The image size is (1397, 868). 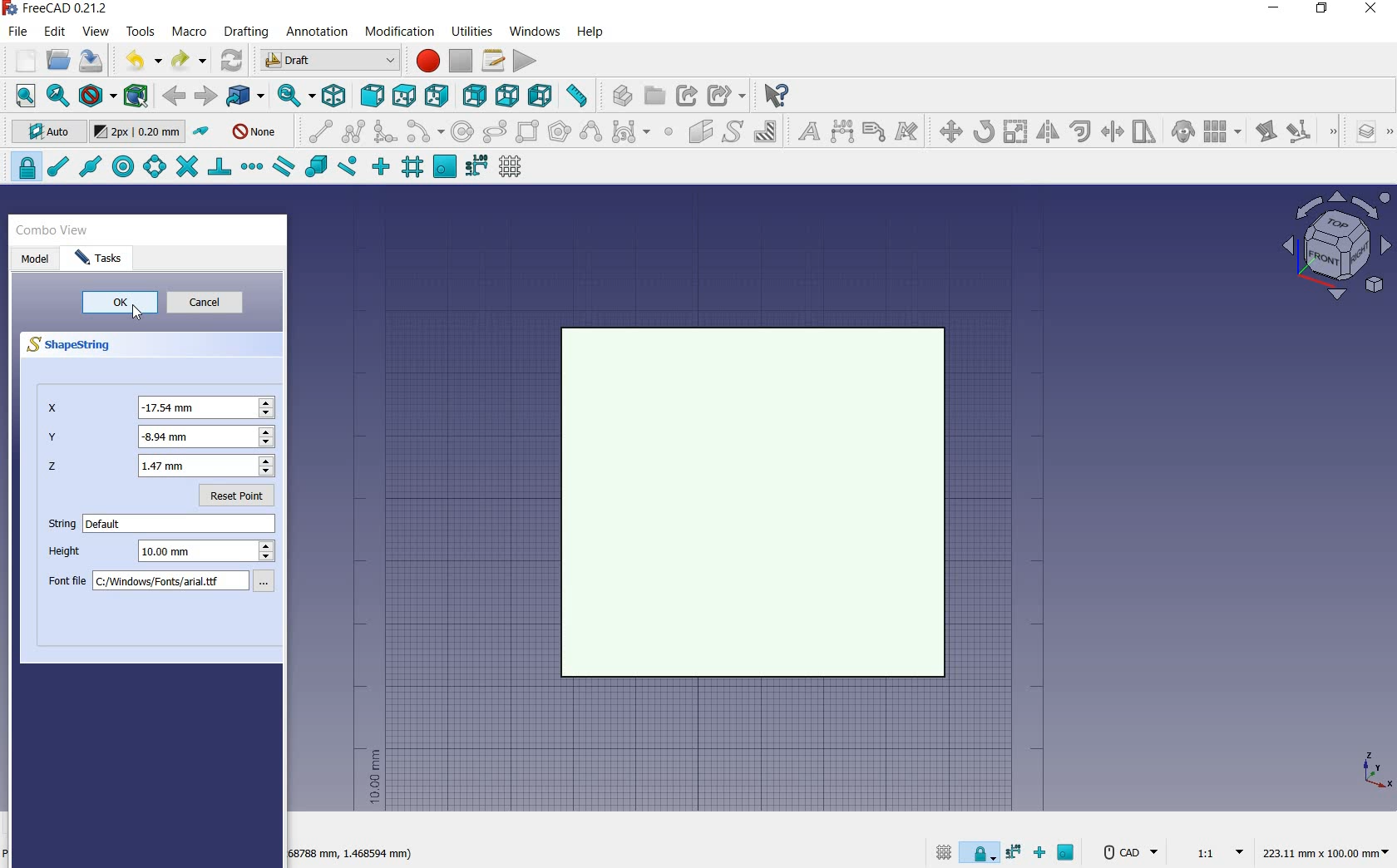 I want to click on snap grid, so click(x=411, y=169).